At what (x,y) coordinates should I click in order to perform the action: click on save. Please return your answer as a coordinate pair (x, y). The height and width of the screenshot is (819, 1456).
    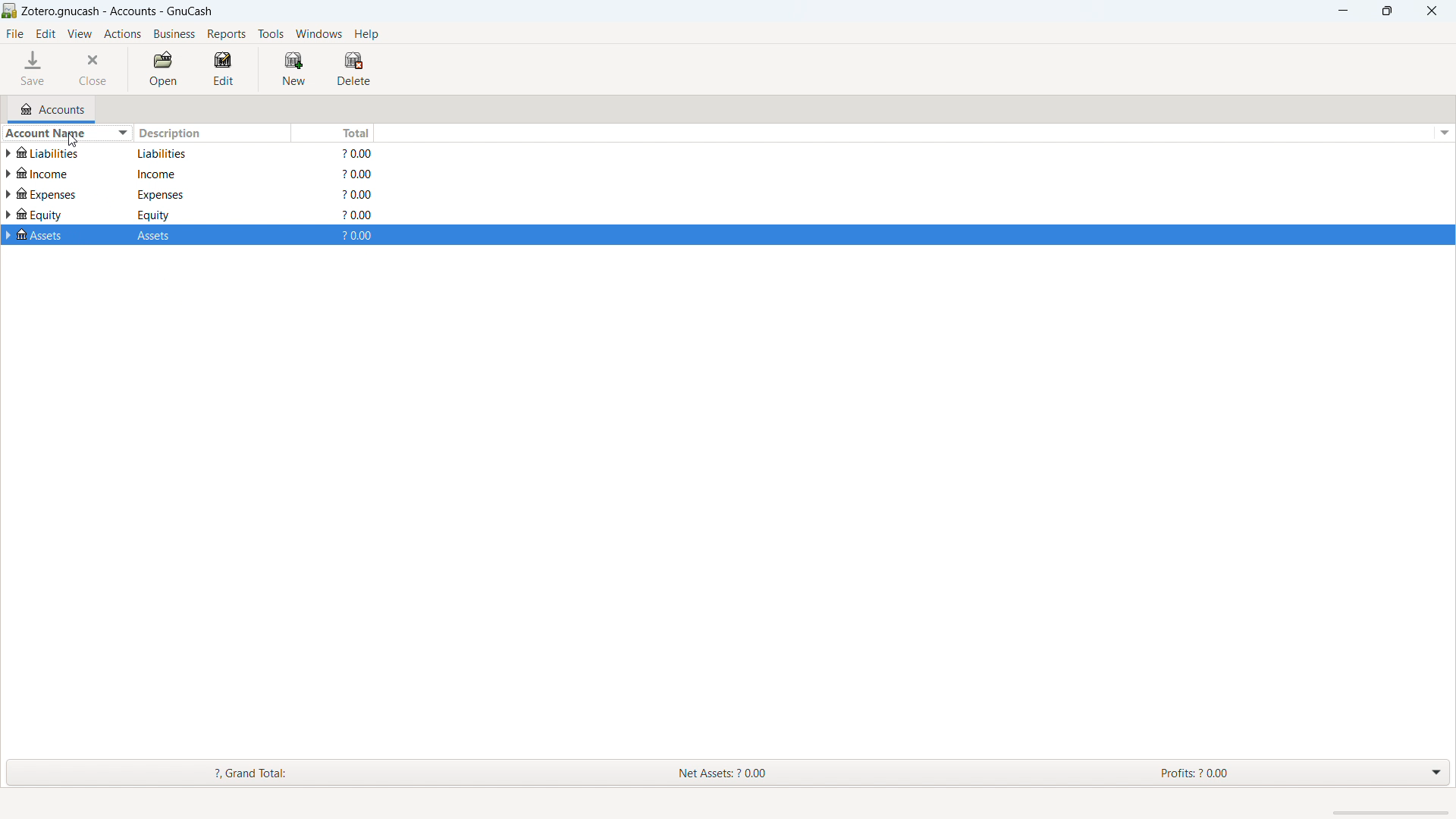
    Looking at the image, I should click on (35, 69).